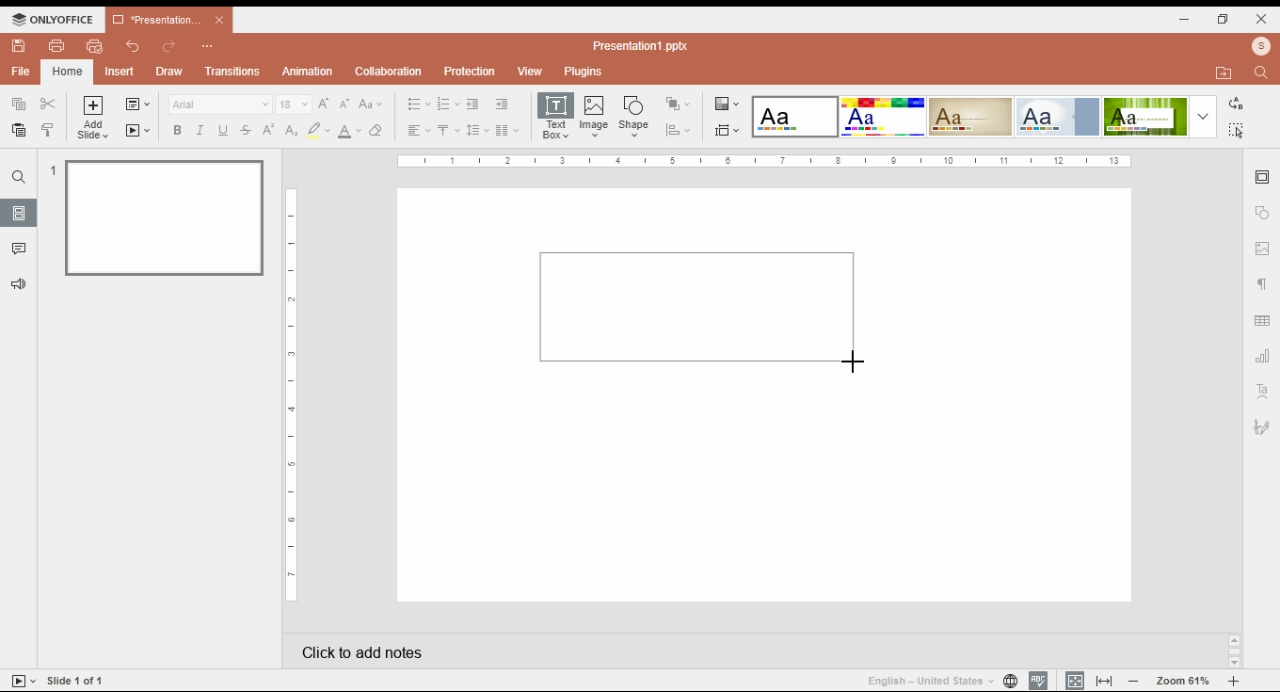 The height and width of the screenshot is (692, 1280). I want to click on comment, so click(21, 250).